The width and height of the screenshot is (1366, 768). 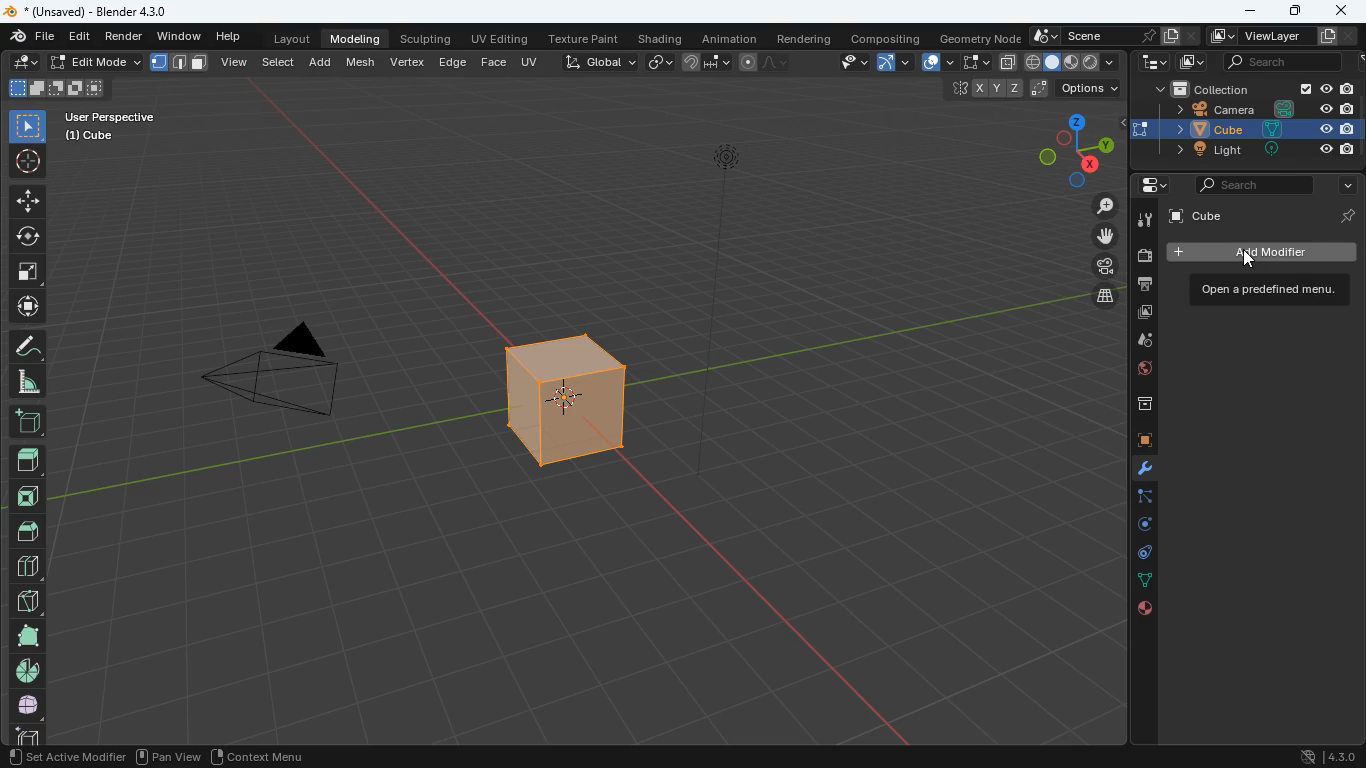 What do you see at coordinates (1097, 208) in the screenshot?
I see `zoom` at bounding box center [1097, 208].